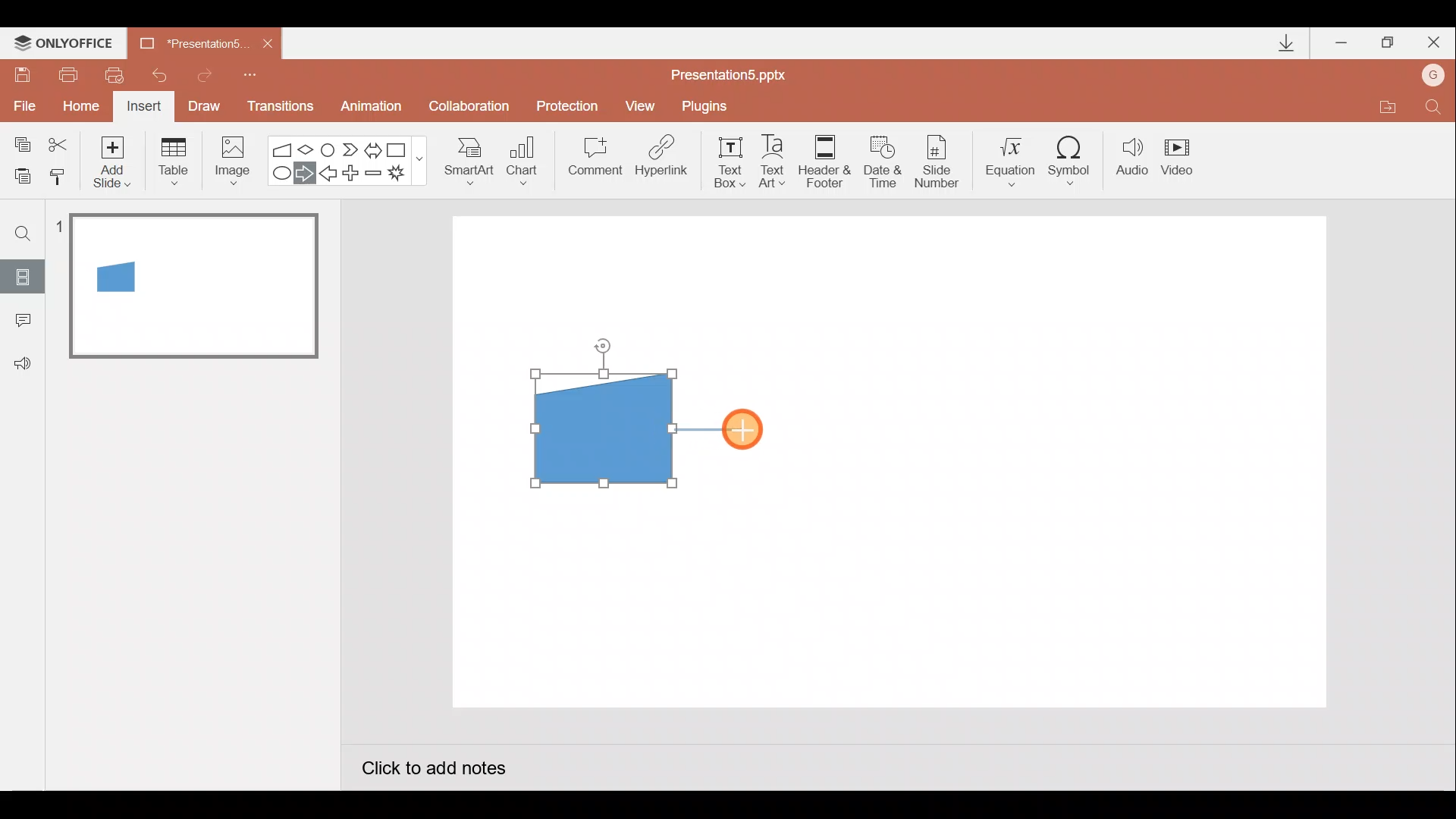 The image size is (1456, 819). Describe the element at coordinates (522, 158) in the screenshot. I see `Chart` at that location.